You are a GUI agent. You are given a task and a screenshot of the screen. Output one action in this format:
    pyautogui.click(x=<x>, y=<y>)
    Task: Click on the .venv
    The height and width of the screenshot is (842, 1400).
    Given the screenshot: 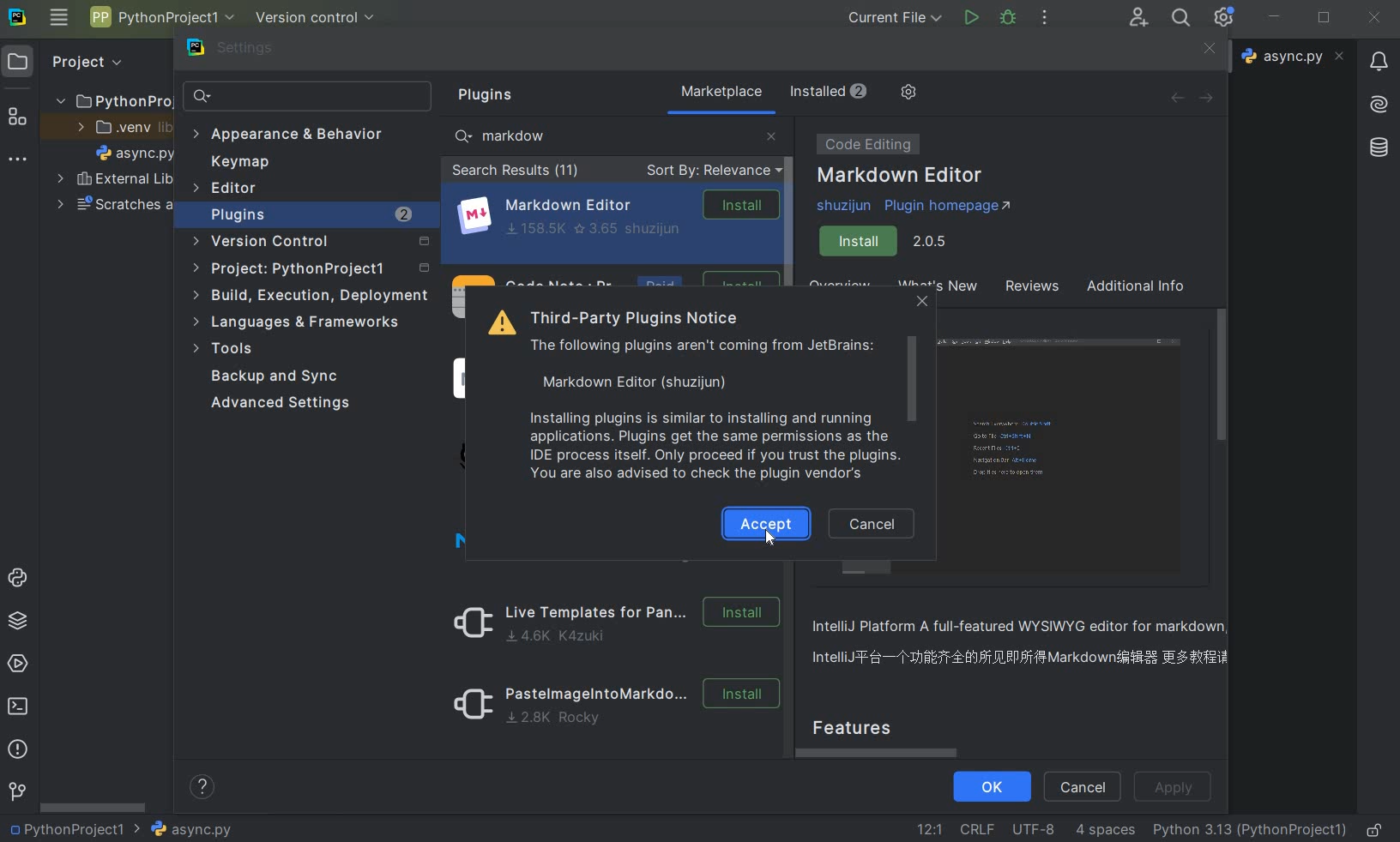 What is the action you would take?
    pyautogui.click(x=118, y=127)
    